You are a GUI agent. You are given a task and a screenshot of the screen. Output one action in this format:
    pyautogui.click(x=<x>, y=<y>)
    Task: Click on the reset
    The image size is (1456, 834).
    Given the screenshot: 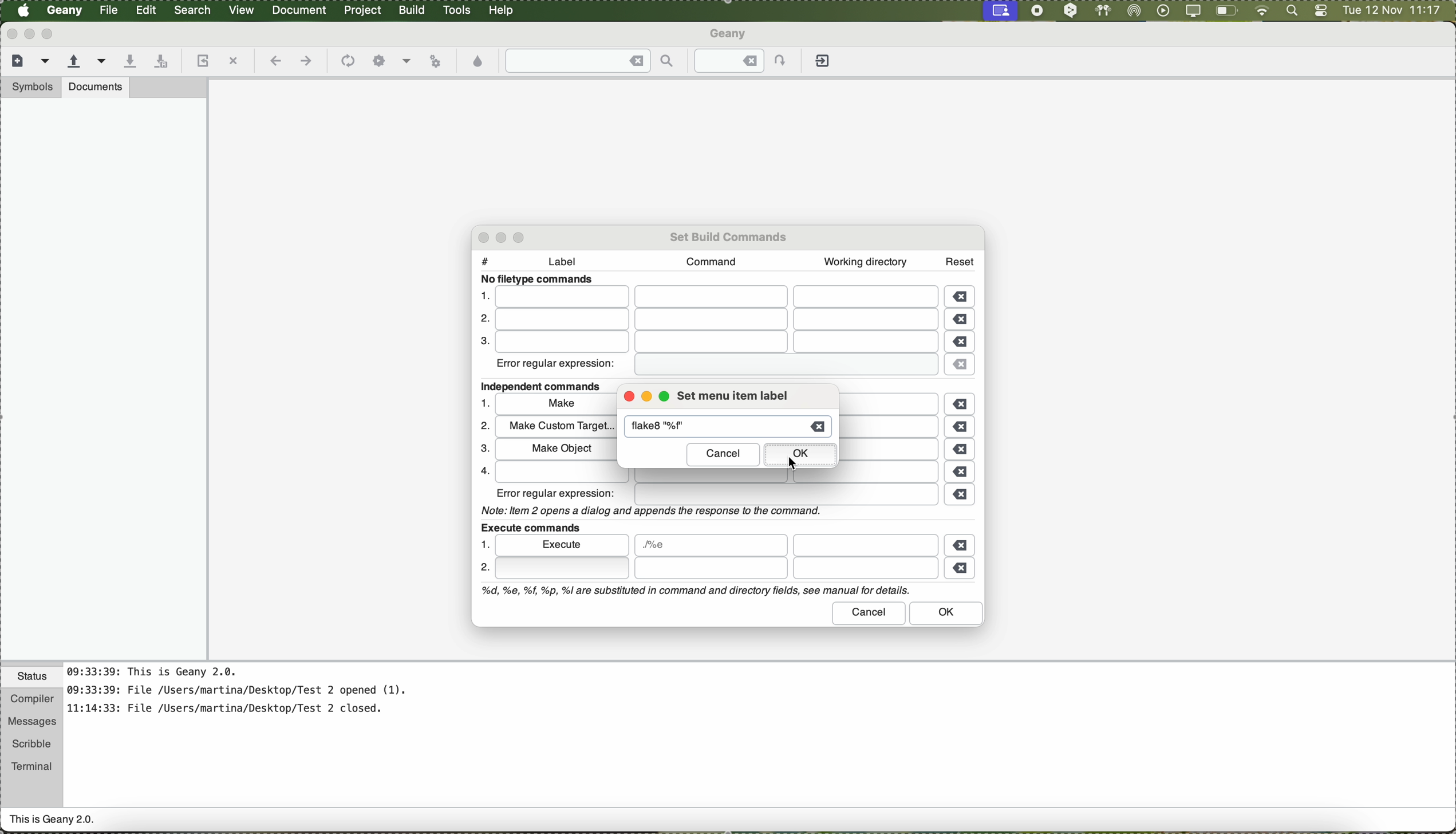 What is the action you would take?
    pyautogui.click(x=960, y=259)
    